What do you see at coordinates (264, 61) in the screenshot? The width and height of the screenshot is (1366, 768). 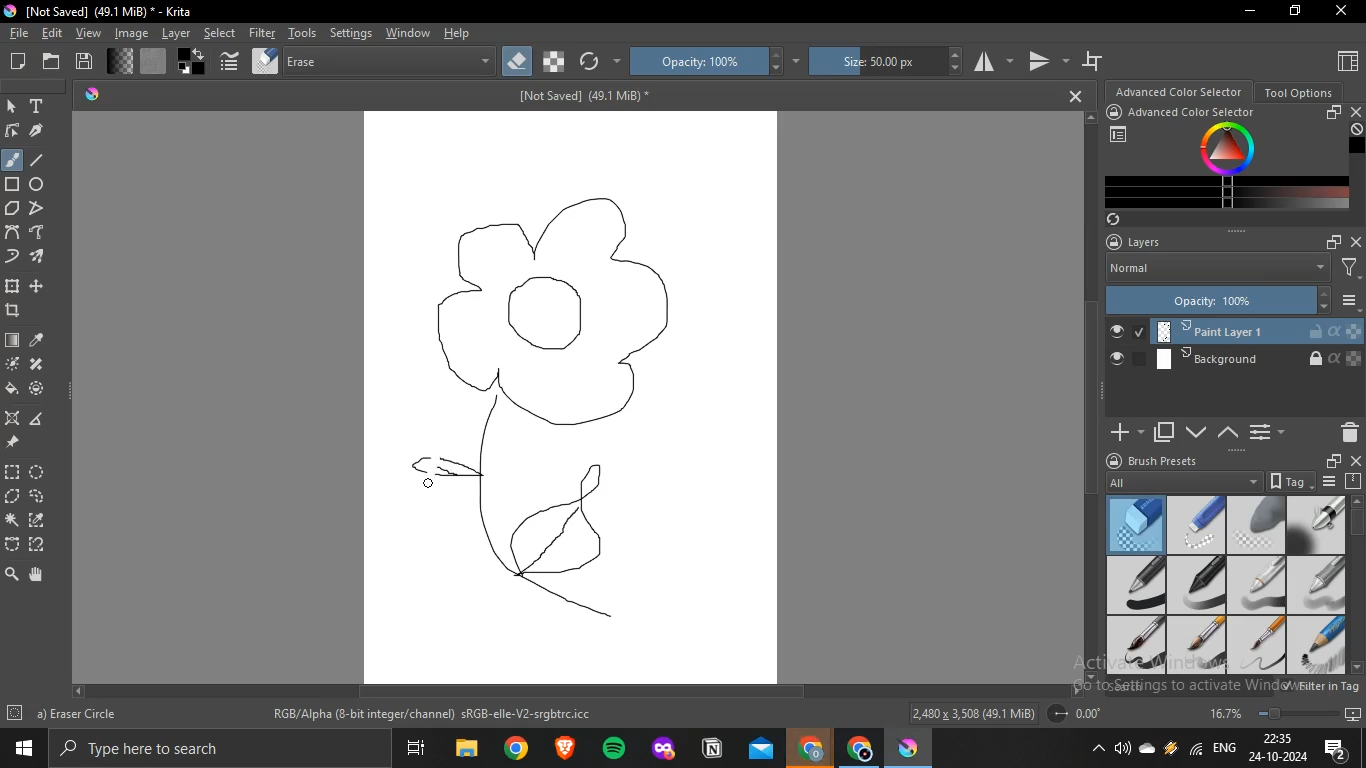 I see `choose brush preset` at bounding box center [264, 61].